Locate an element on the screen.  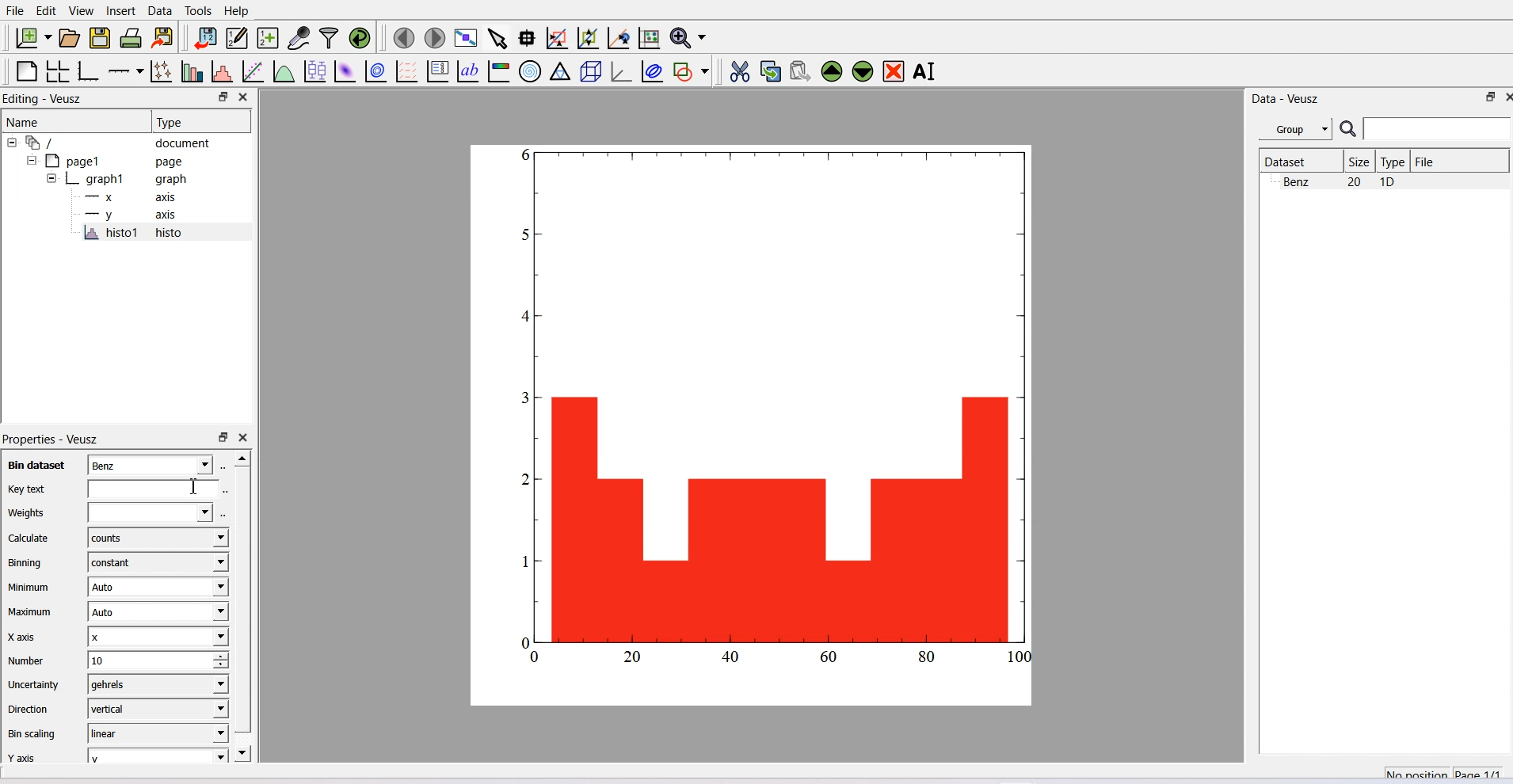
Binning - constant is located at coordinates (116, 561).